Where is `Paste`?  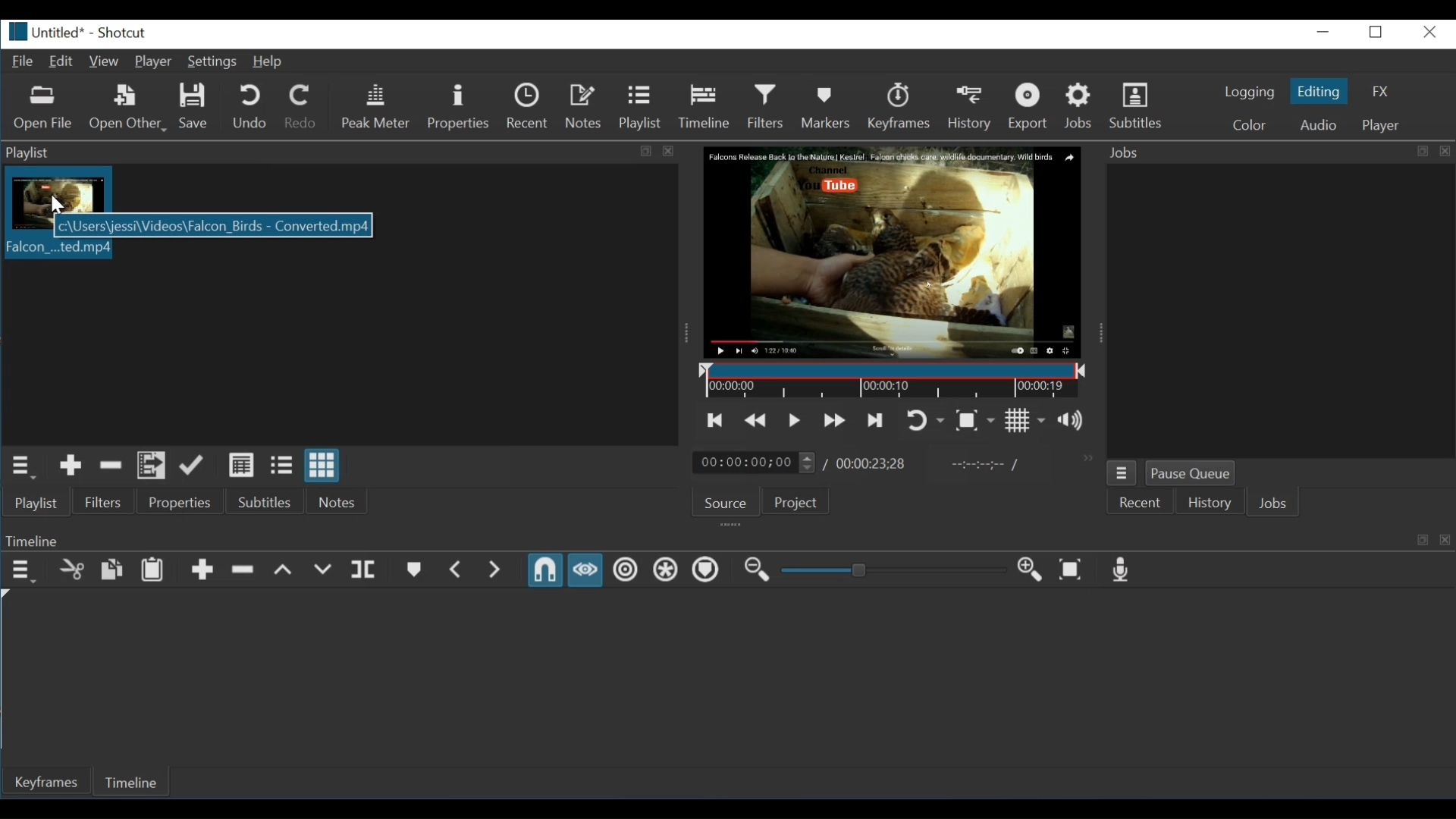 Paste is located at coordinates (152, 570).